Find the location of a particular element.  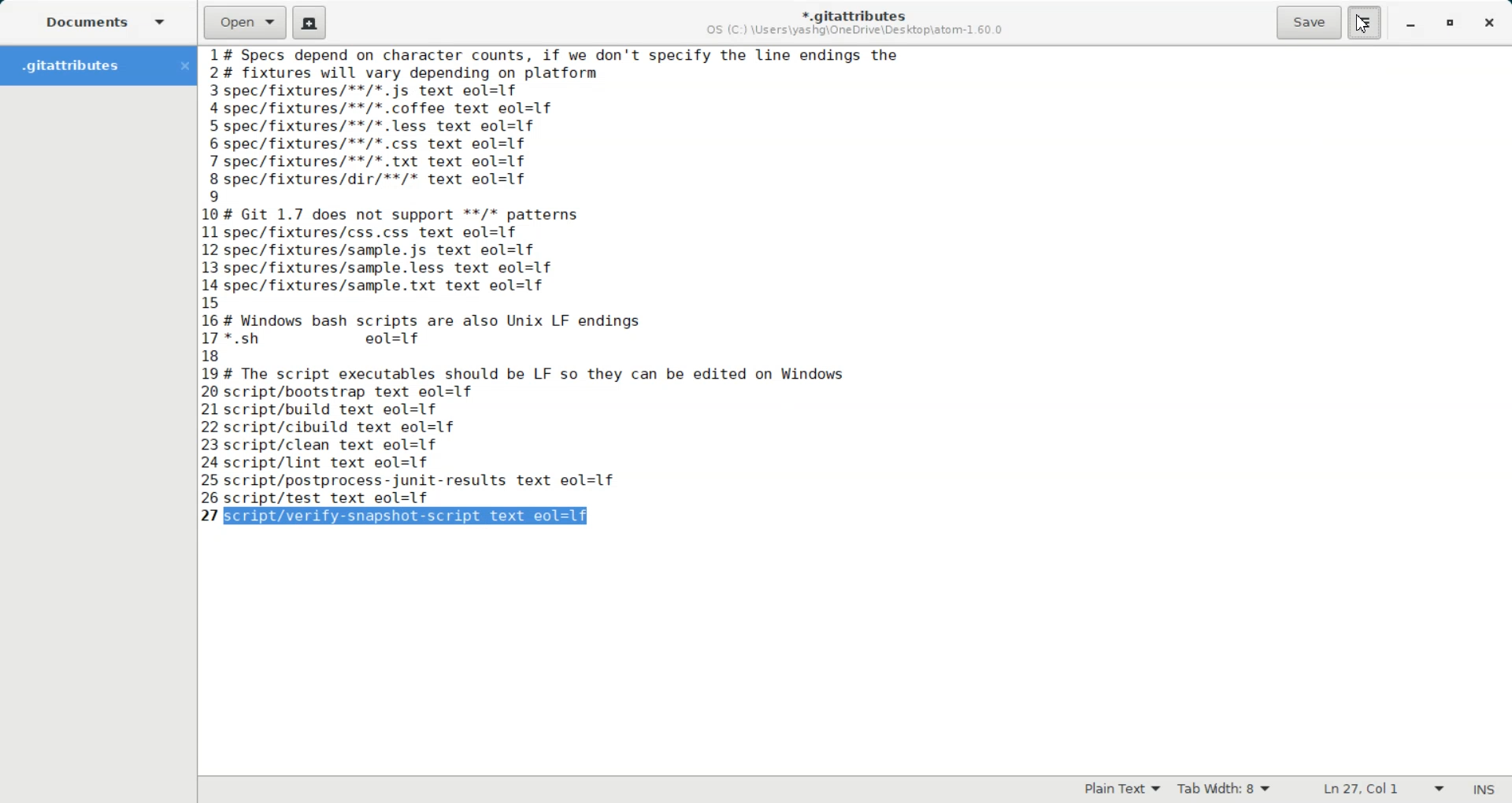

# Specs depend on character counts, if we don't specify the line endings the
 # fixtures will vary depending on platform
 spec/fixtures/**/*.js text eol=1f
-spec/fixtures/**/*.coffee text eol=1f
 spec/fixtures/**/*.less text eol=1f
 spec/fixtures/**/*.css text eol=1f
'spec/fixtures/**/*. txt text eol=1f
 spec/fixtures/dir/**/* text eol=1f

| # Git 1.7 does not support **/* patterns
spec/fixtures/css.css text eol=1f
 spec/fixtures/sample.js text eol=1f
 spec/fixtures/sample.less text eol=1f
-spec/fixtures/sample.txt text eol=1f

;

 # Windows bash scripts are also Unix LF endings
'*.sh eol=1f

 # The script executables should be LF so they can be edited on Windows
 script/bootstrap text eol=1f

script/build text eol=1f

script/cibuild text eol=1f

 script/clean text eol=1f

script/lint text eol=1f
 script/postprocess-junit-results text eol=1f
 script/test text eol=1f is located at coordinates (576, 276).